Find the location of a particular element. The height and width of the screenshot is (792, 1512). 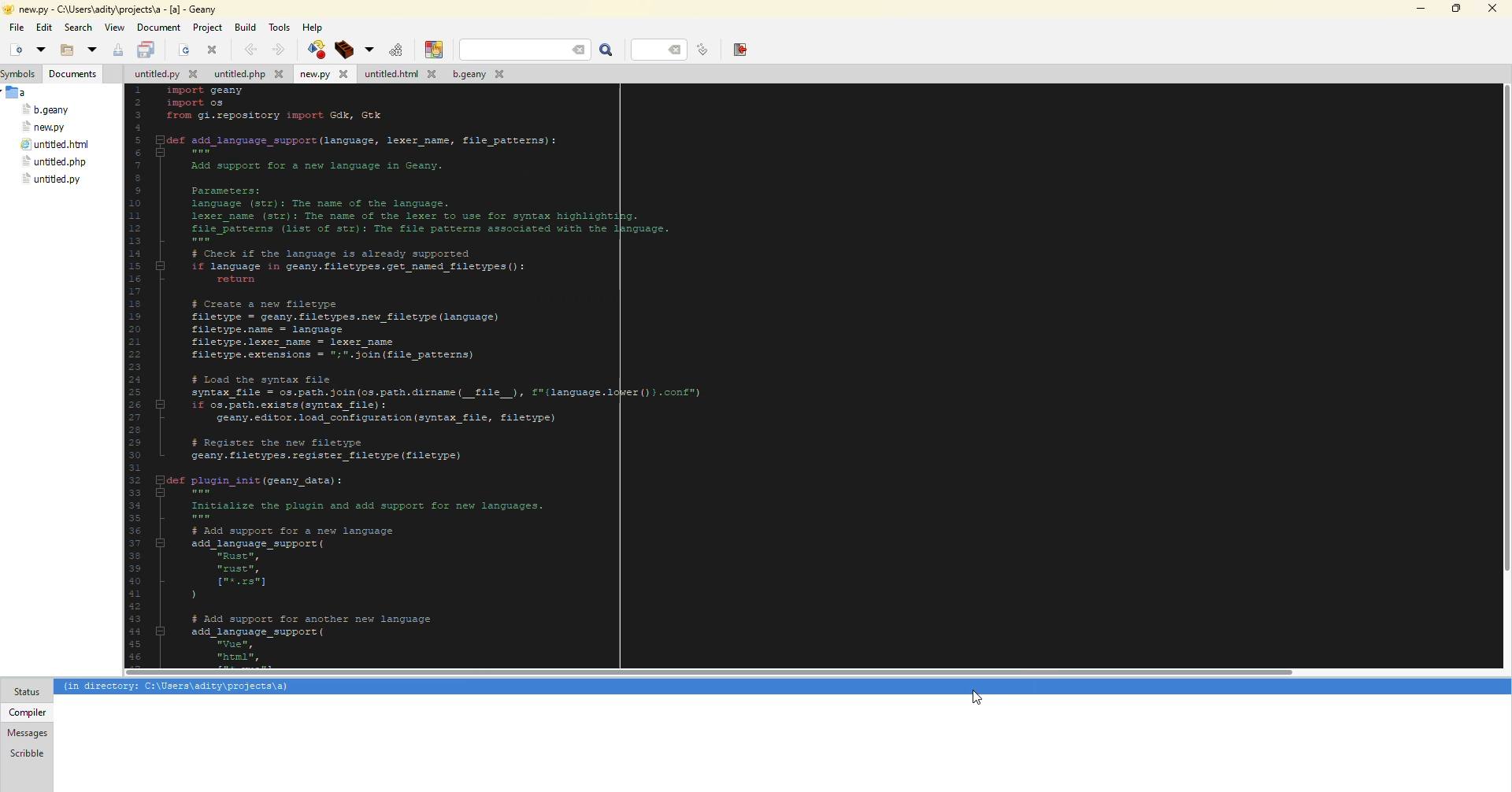

file is located at coordinates (46, 110).